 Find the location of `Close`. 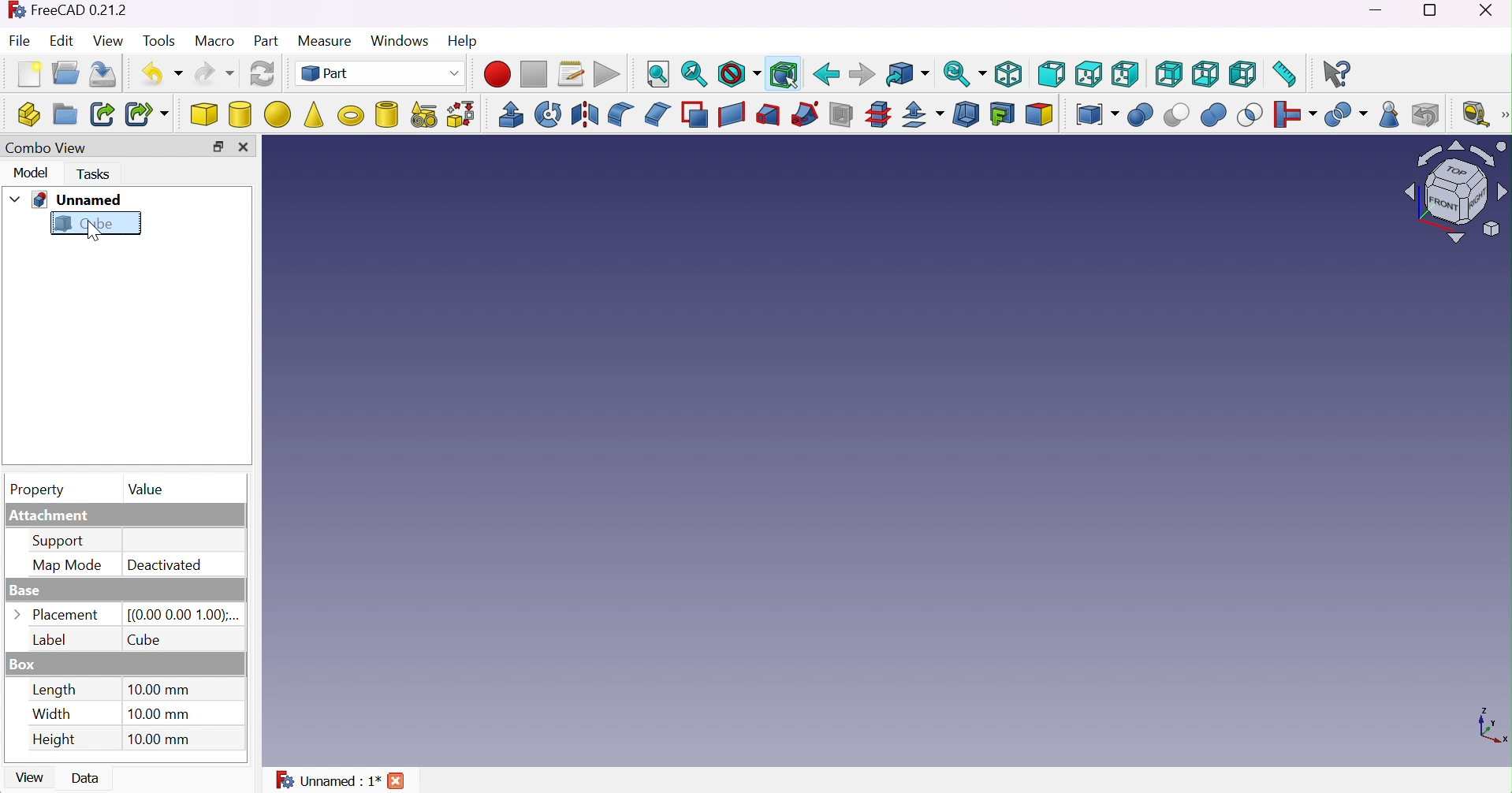

Close is located at coordinates (248, 148).